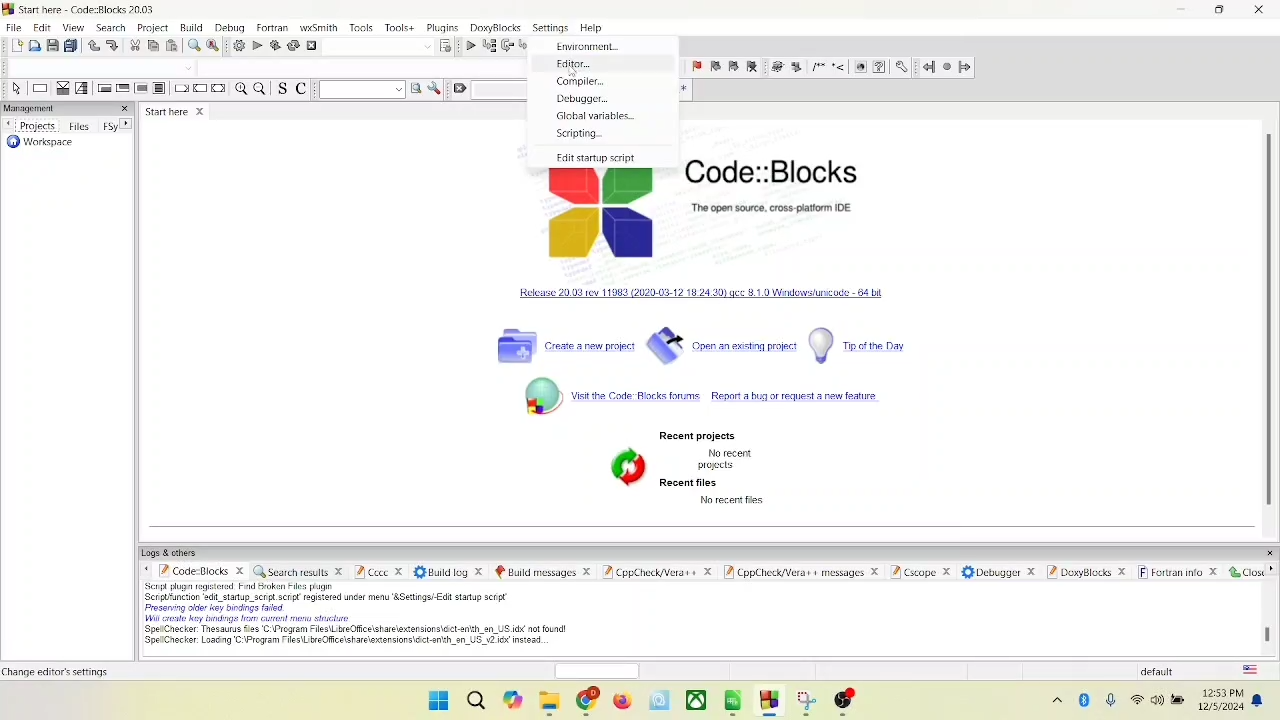  What do you see at coordinates (162, 111) in the screenshot?
I see `start here` at bounding box center [162, 111].